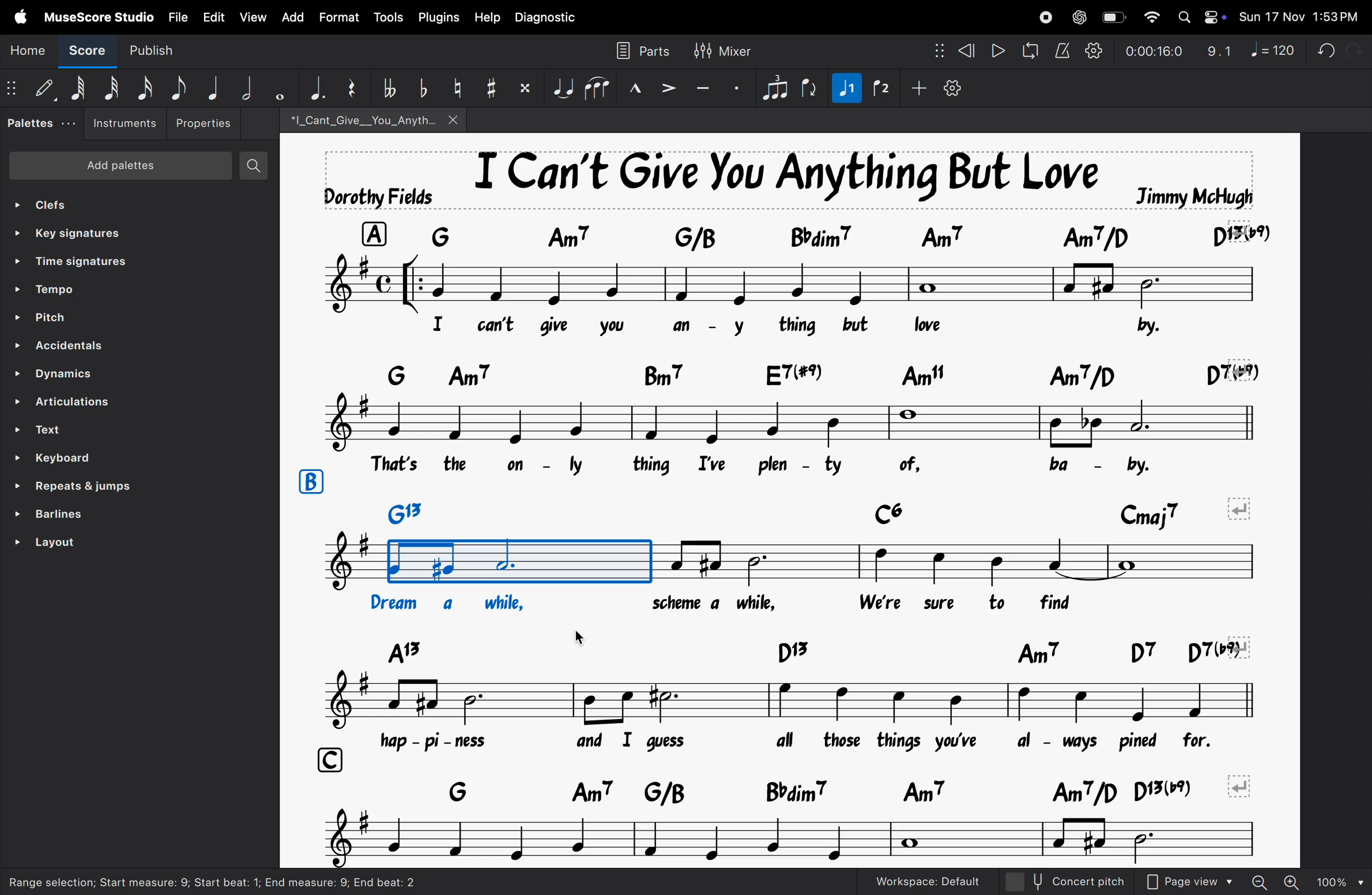  What do you see at coordinates (54, 318) in the screenshot?
I see `pitch` at bounding box center [54, 318].